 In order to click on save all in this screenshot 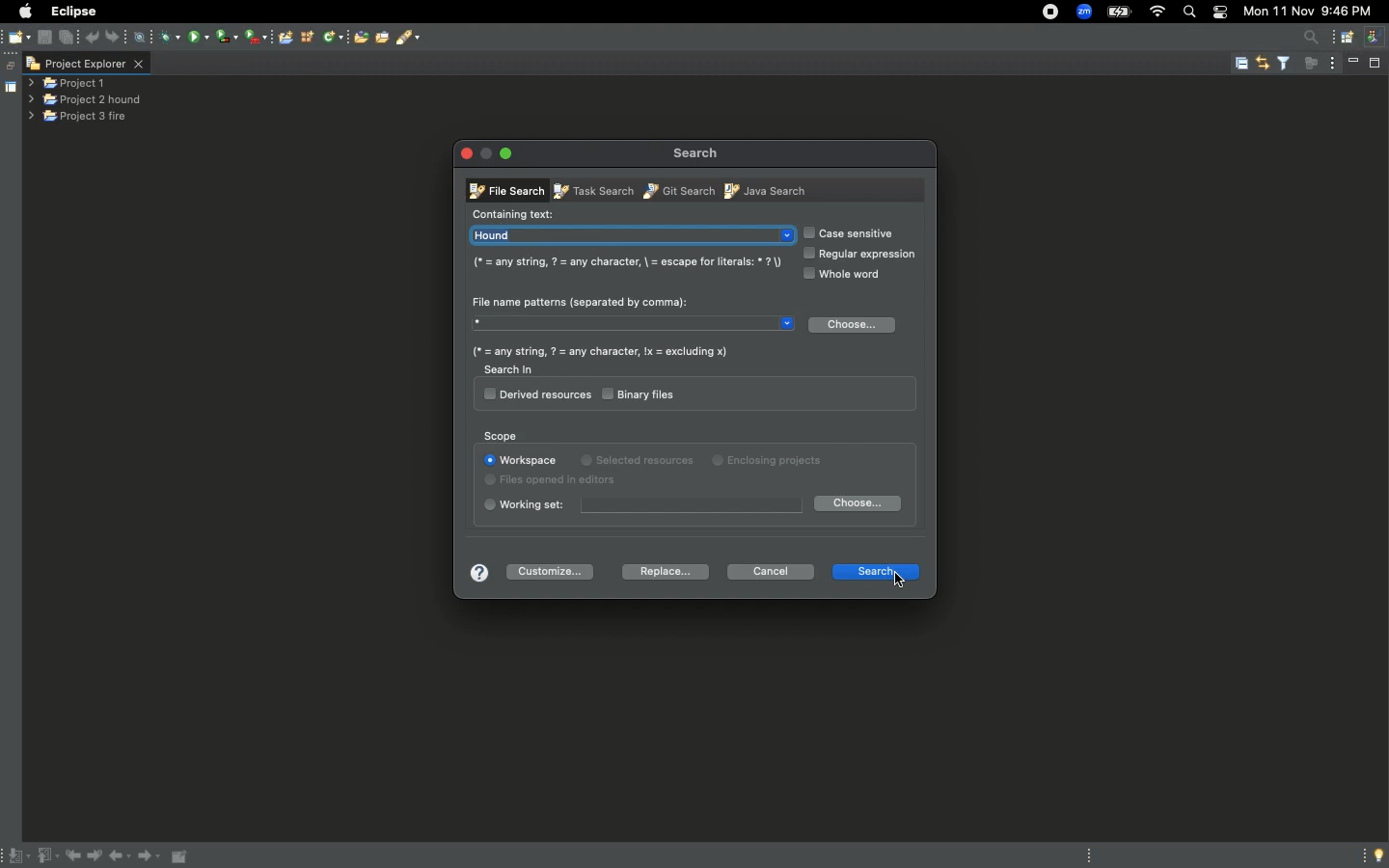, I will do `click(68, 36)`.